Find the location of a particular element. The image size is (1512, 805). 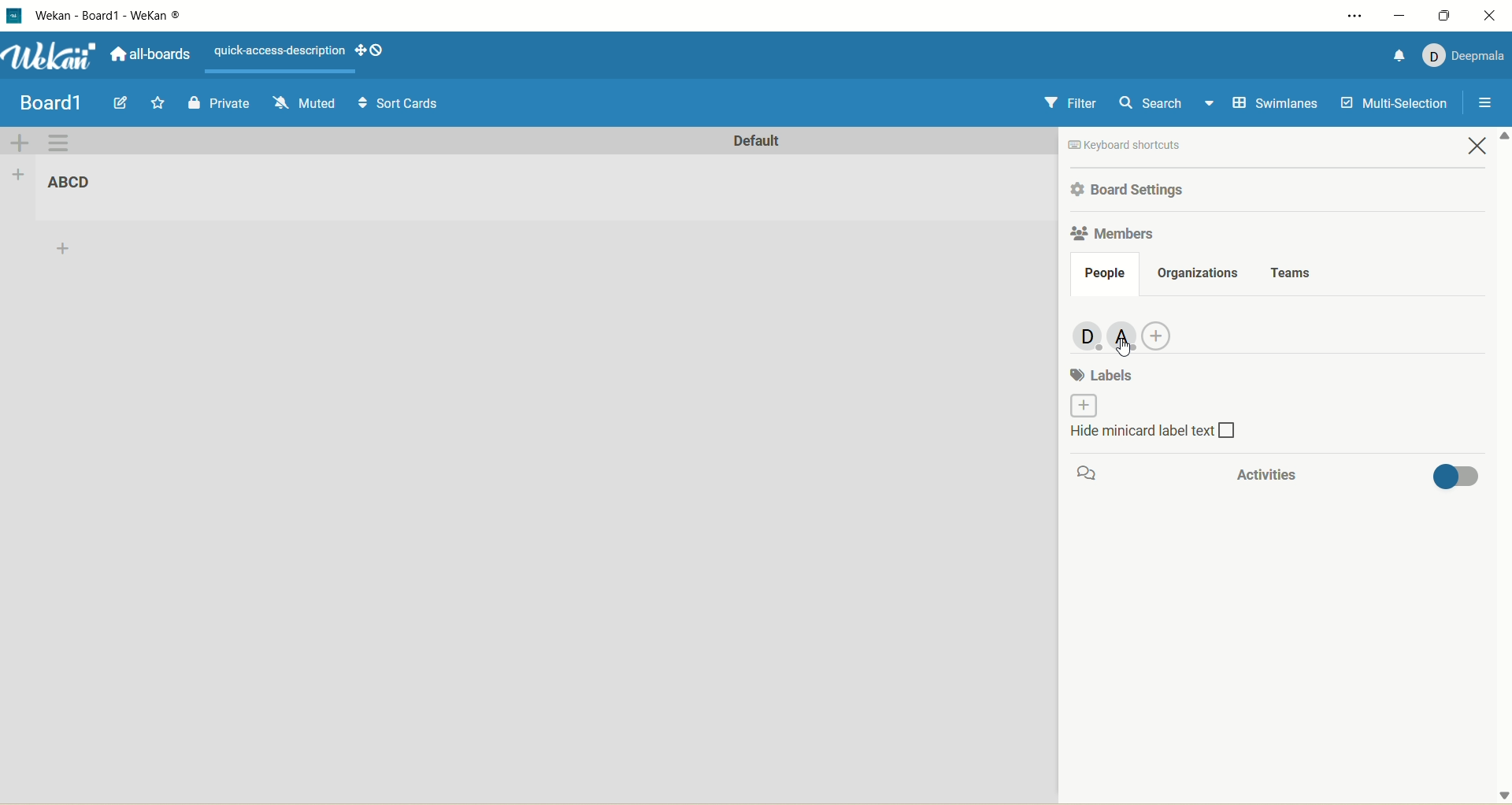

wekan-wekan is located at coordinates (108, 16).